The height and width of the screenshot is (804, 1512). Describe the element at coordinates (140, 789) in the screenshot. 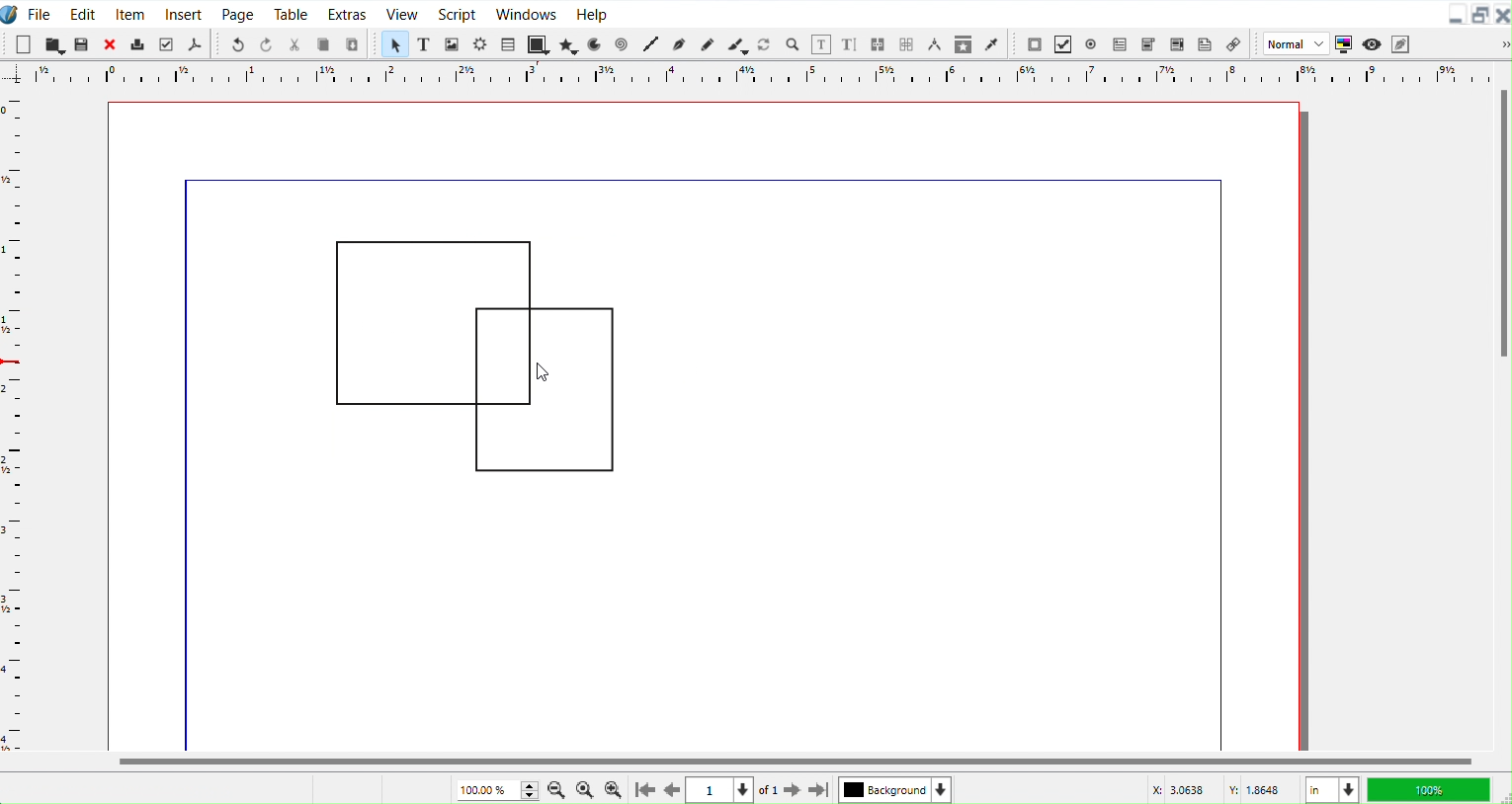

I see `Poligon selected : Size = 1.3755 in x 1.1558 in’` at that location.